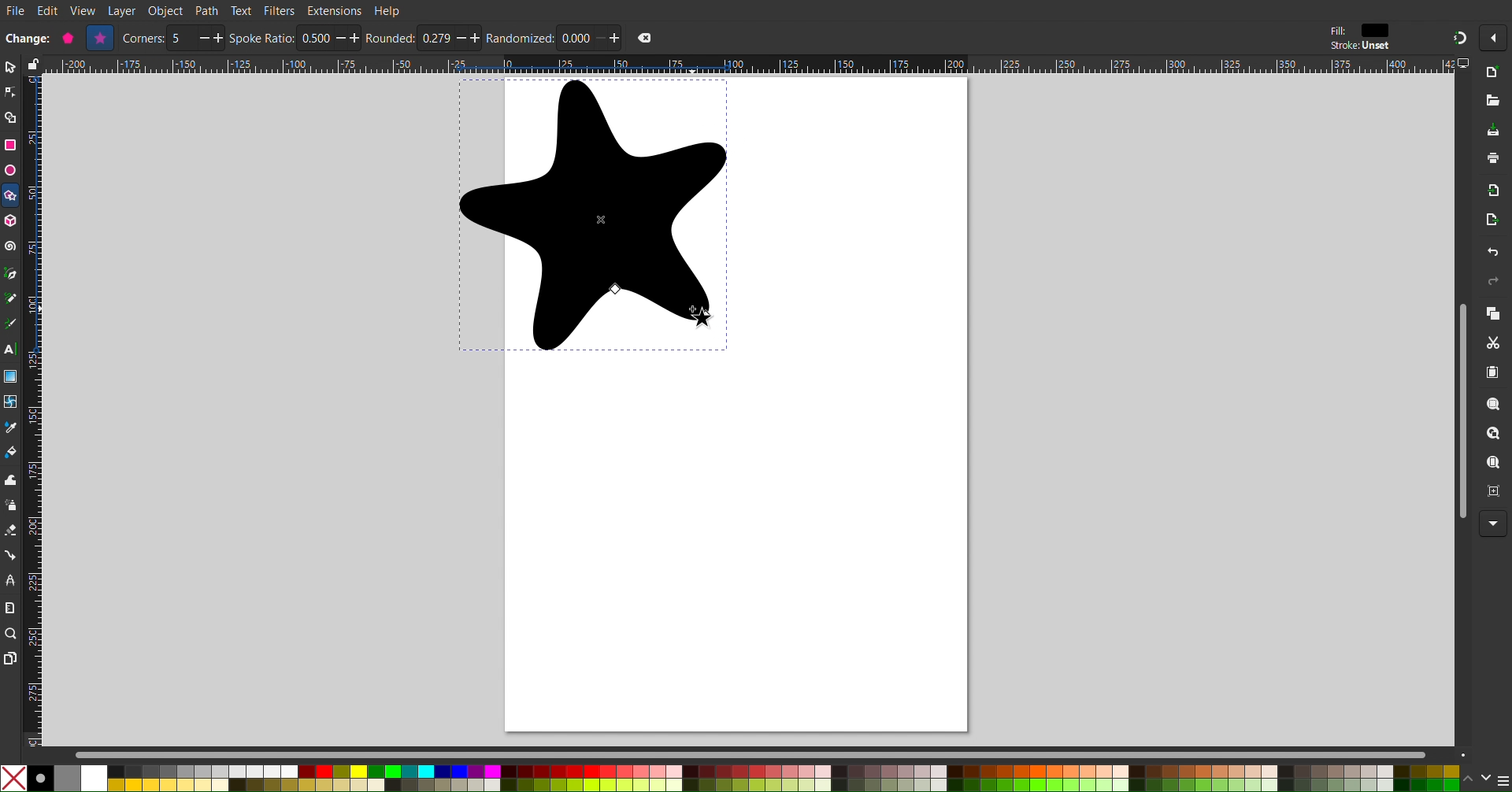  Describe the element at coordinates (1496, 344) in the screenshot. I see `Cut` at that location.